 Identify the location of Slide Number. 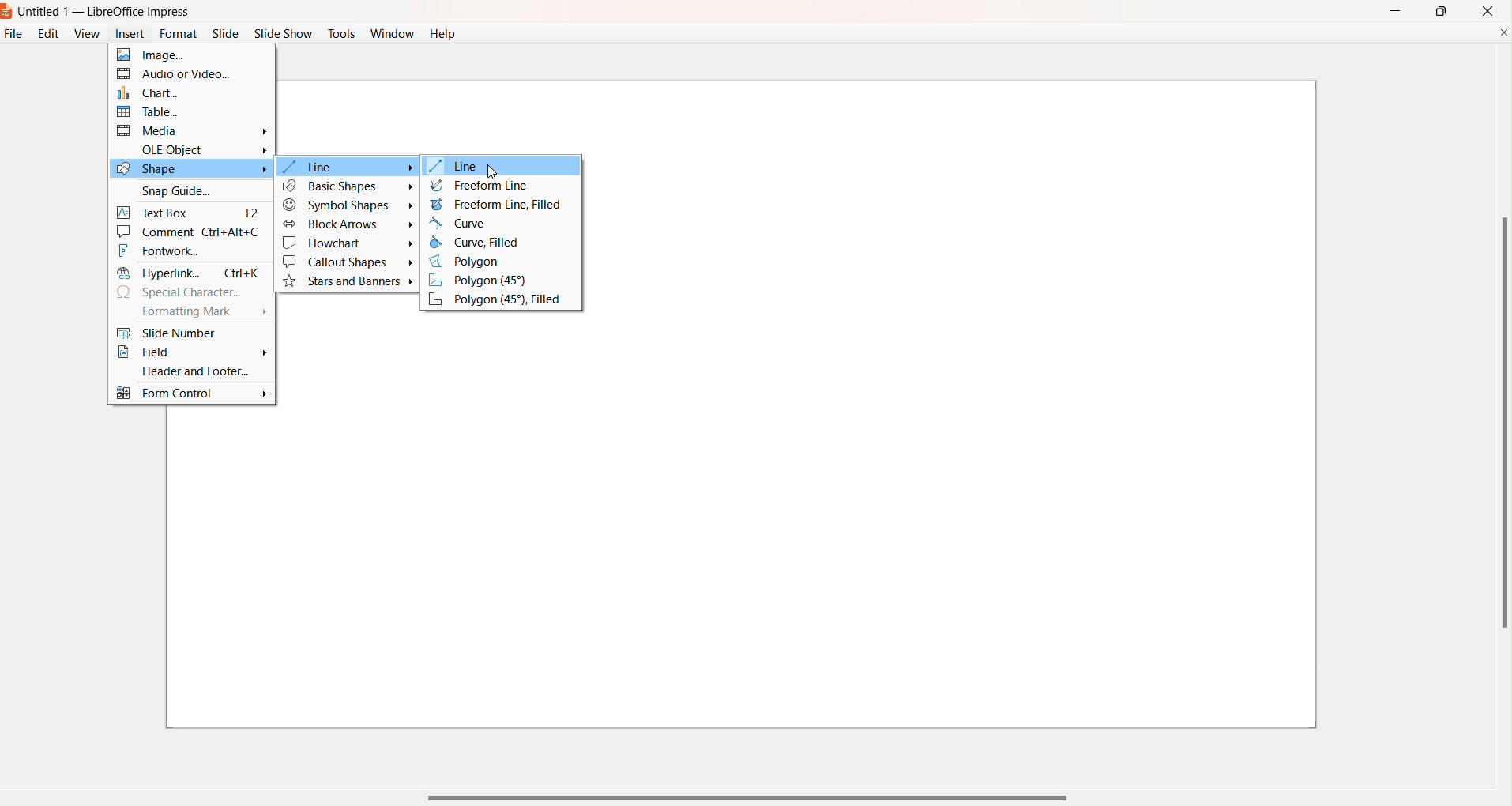
(187, 333).